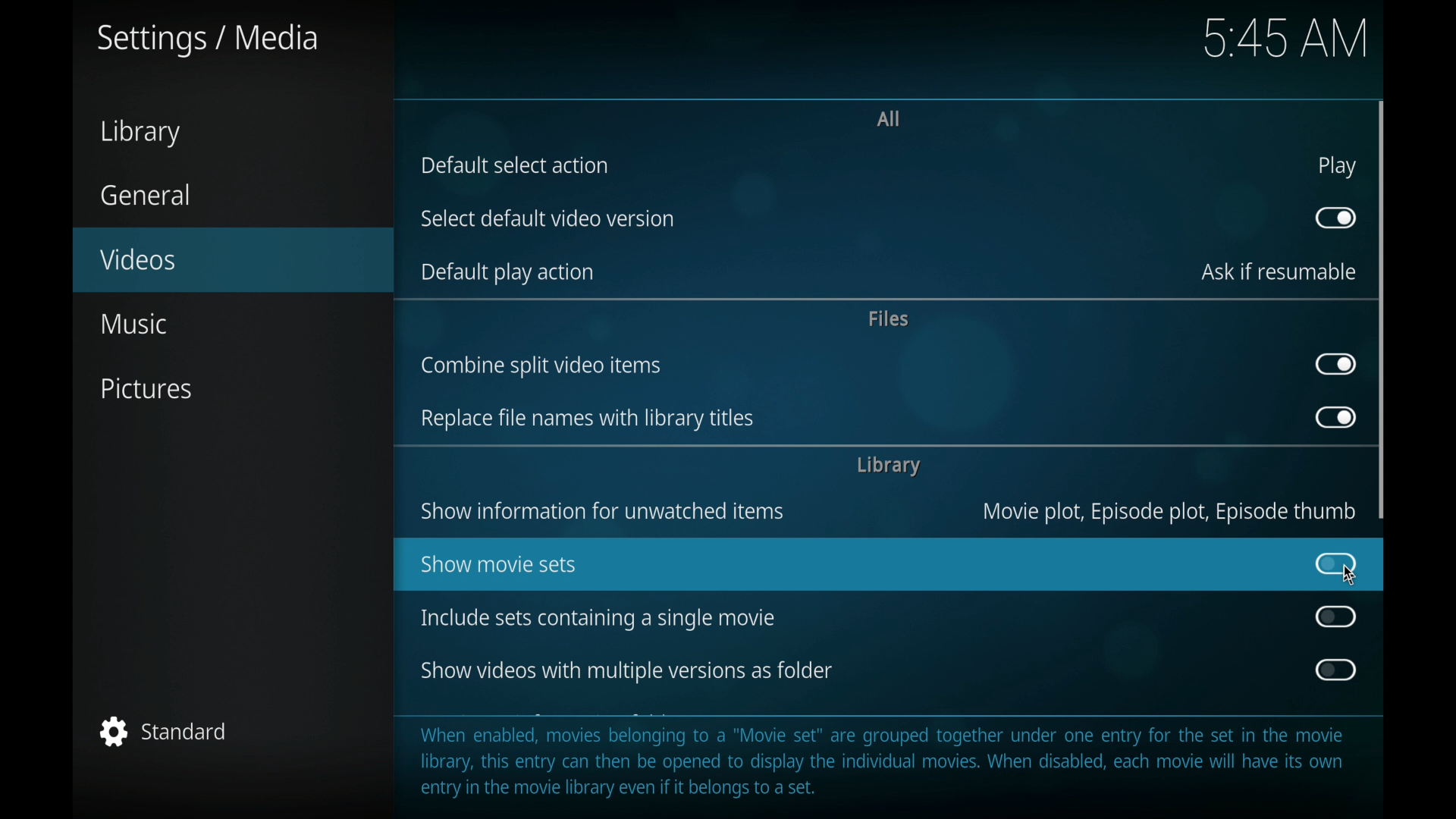 This screenshot has height=819, width=1456. I want to click on select default , so click(548, 219).